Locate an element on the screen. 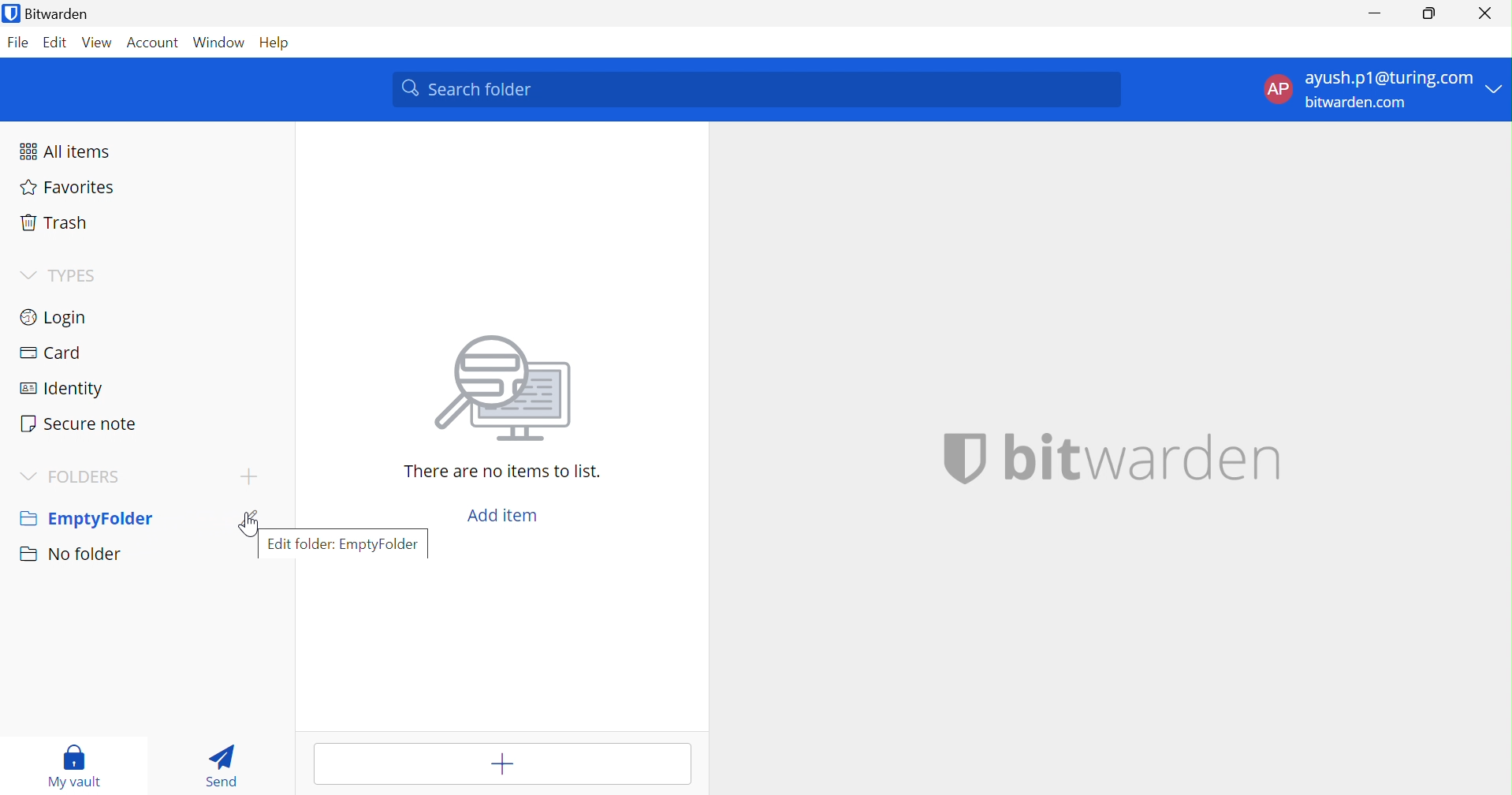  Minimize is located at coordinates (1372, 13).